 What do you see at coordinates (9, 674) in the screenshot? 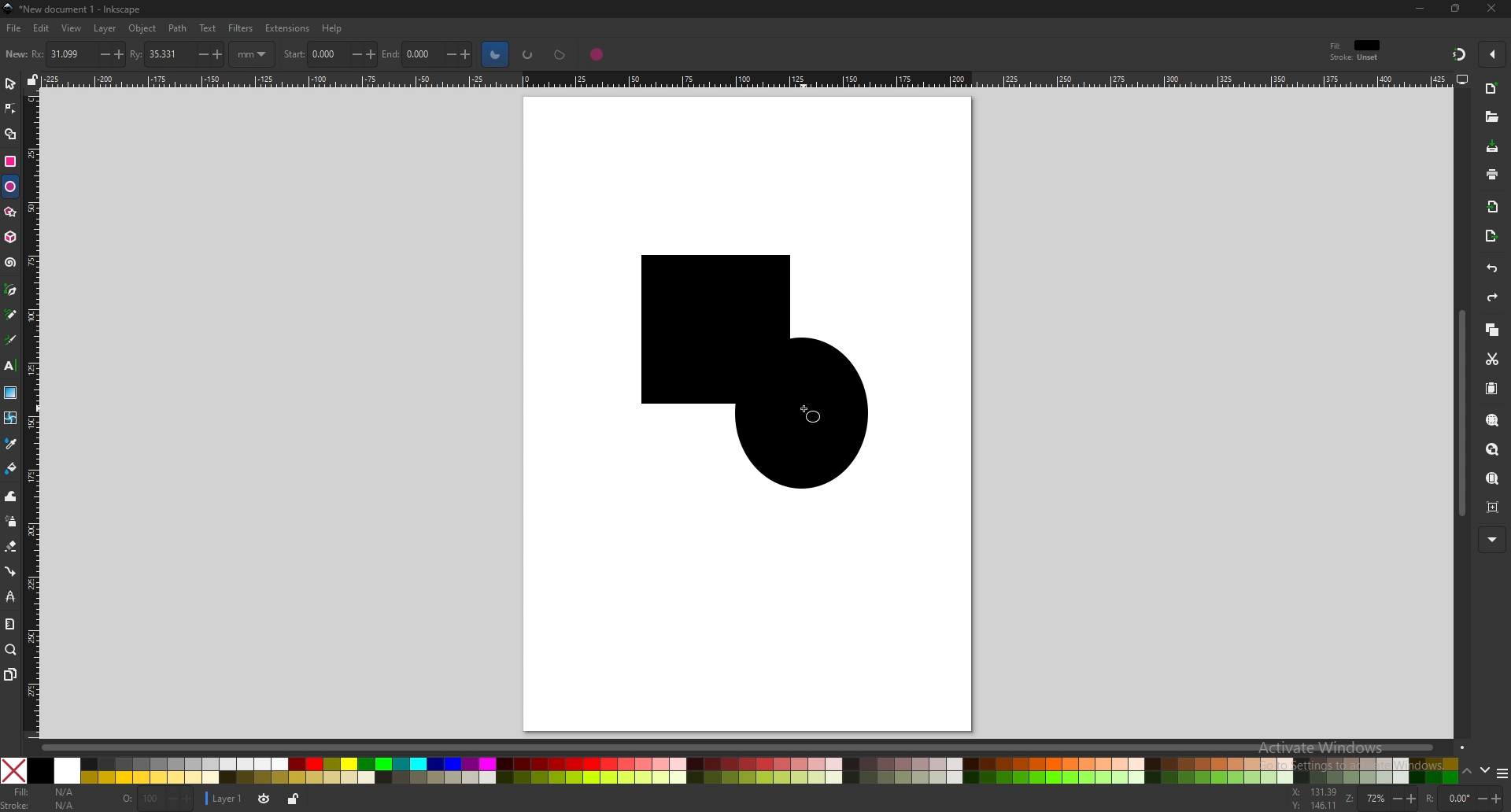
I see `pages` at bounding box center [9, 674].